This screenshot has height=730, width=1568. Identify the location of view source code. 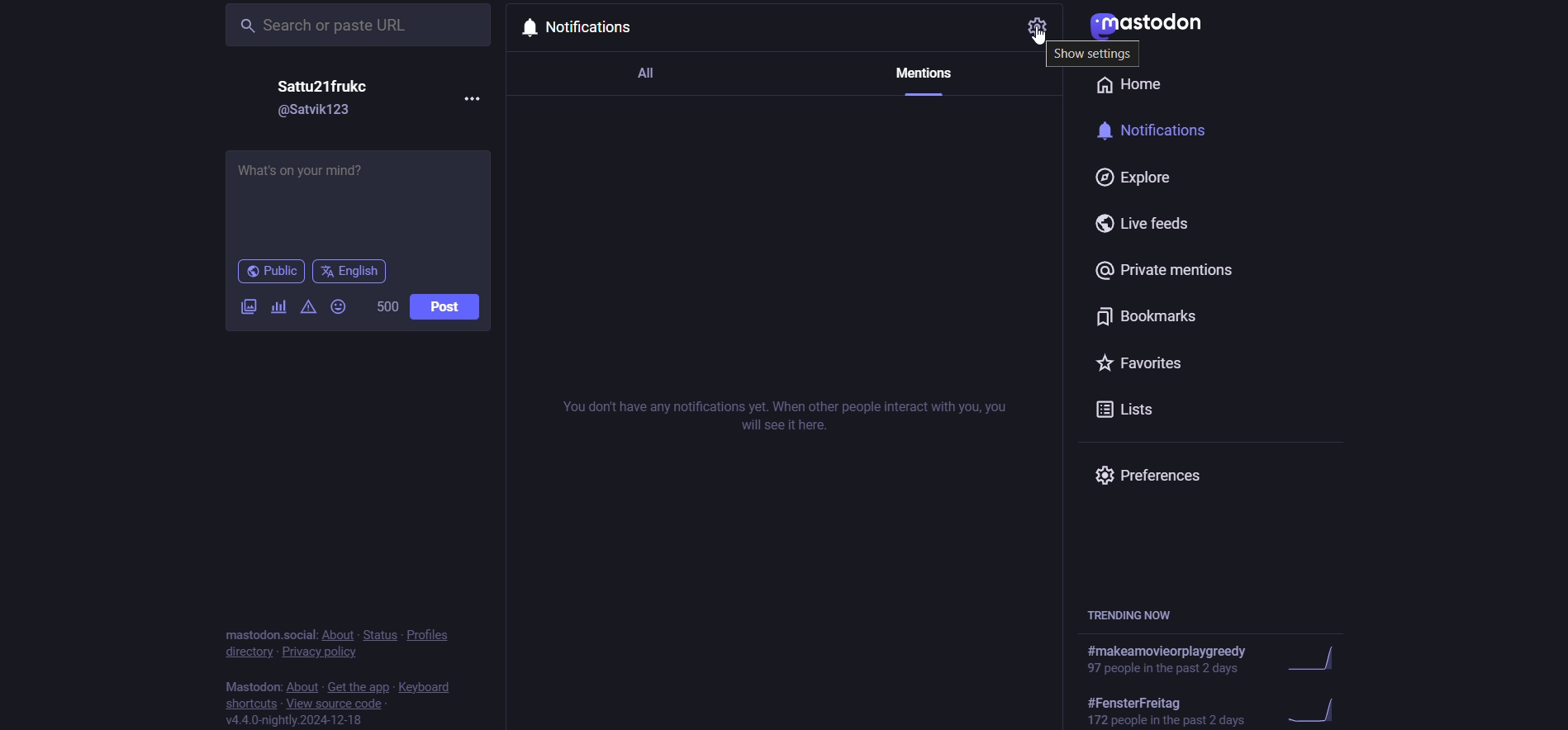
(335, 705).